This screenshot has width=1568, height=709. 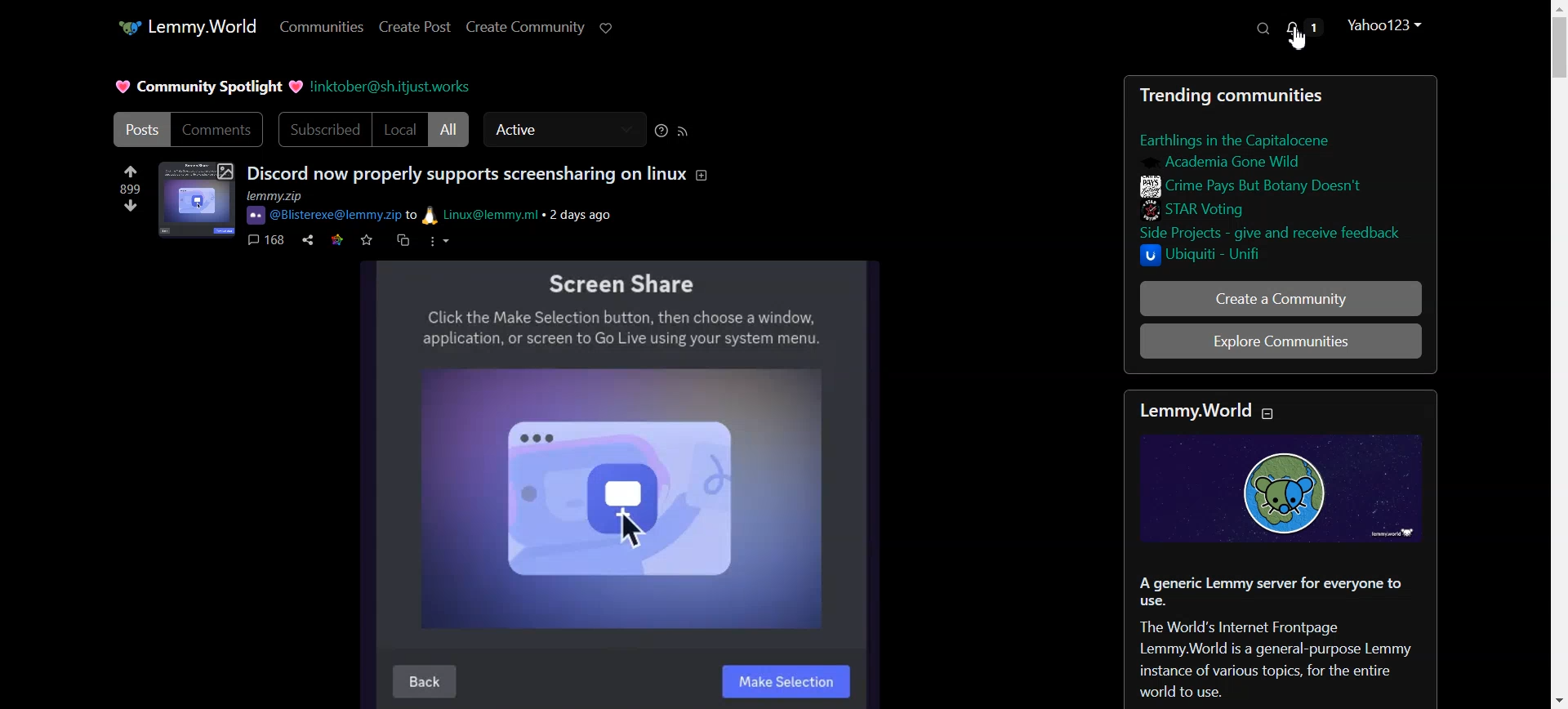 What do you see at coordinates (526, 26) in the screenshot?
I see `Create Community ` at bounding box center [526, 26].